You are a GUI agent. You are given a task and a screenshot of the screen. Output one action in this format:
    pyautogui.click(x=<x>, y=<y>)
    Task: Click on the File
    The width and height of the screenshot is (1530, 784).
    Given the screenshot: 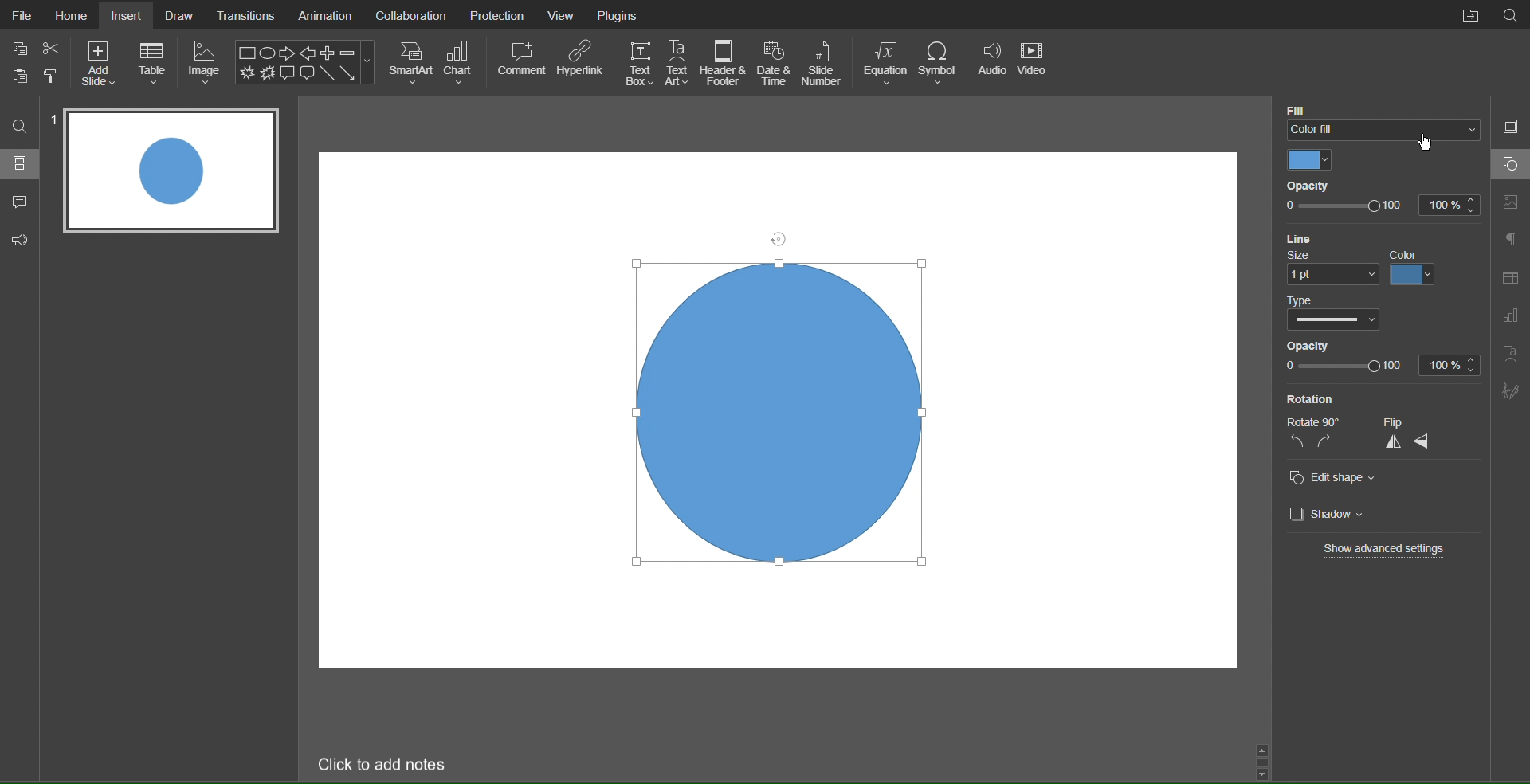 What is the action you would take?
    pyautogui.click(x=19, y=14)
    